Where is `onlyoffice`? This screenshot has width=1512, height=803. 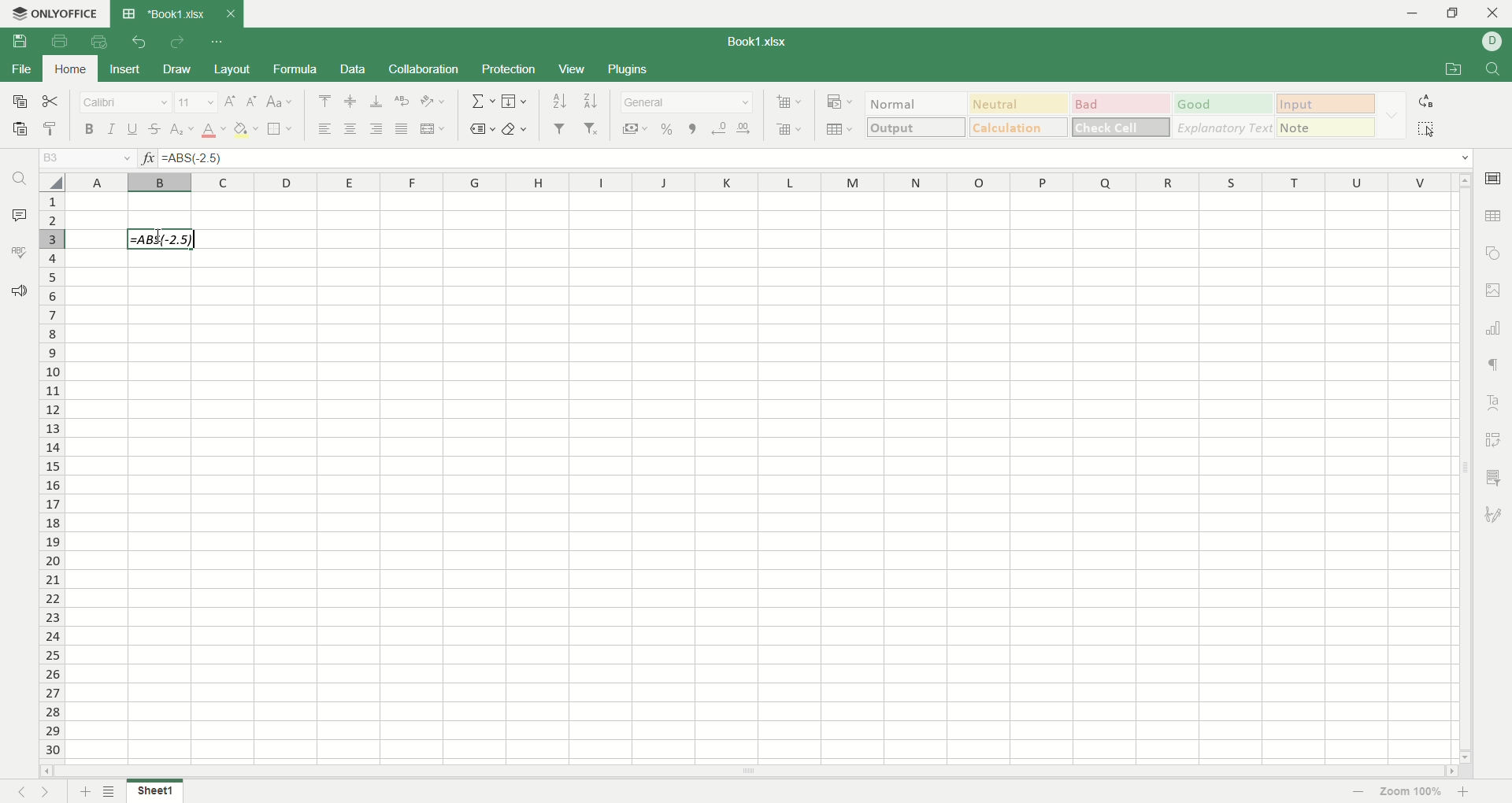 onlyoffice is located at coordinates (53, 13).